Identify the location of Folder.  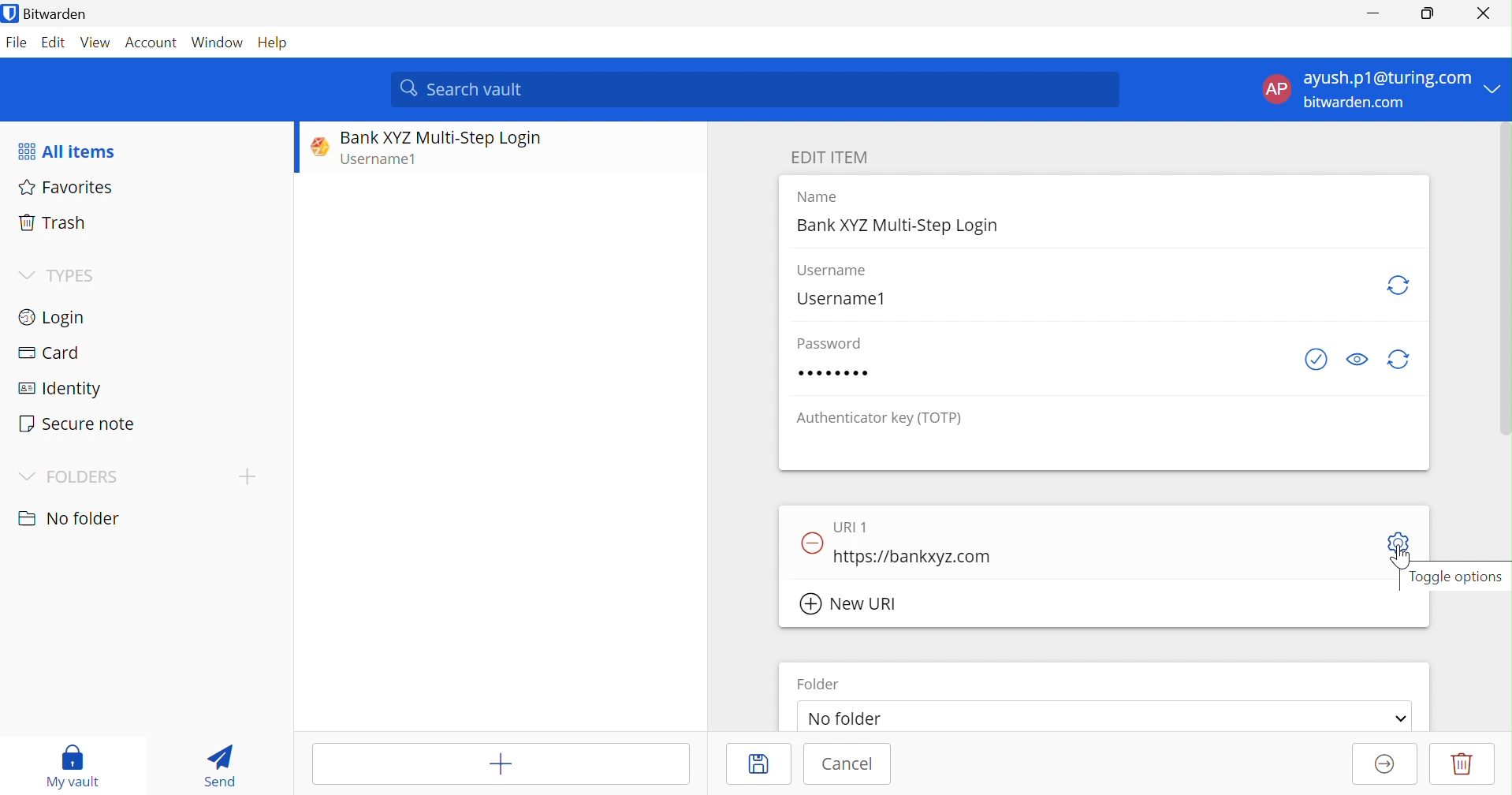
(819, 682).